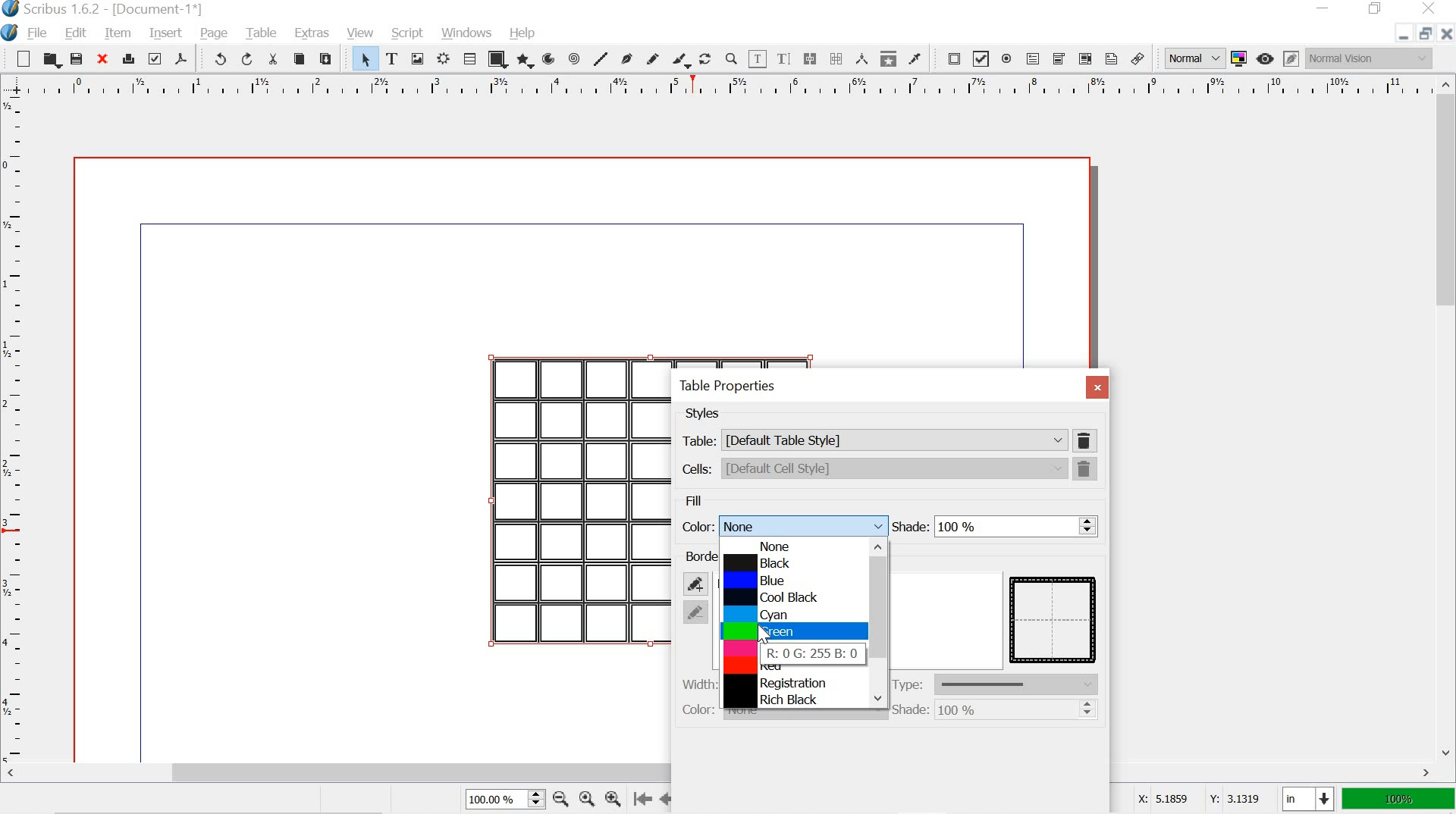 This screenshot has height=814, width=1456. I want to click on spiral, so click(573, 58).